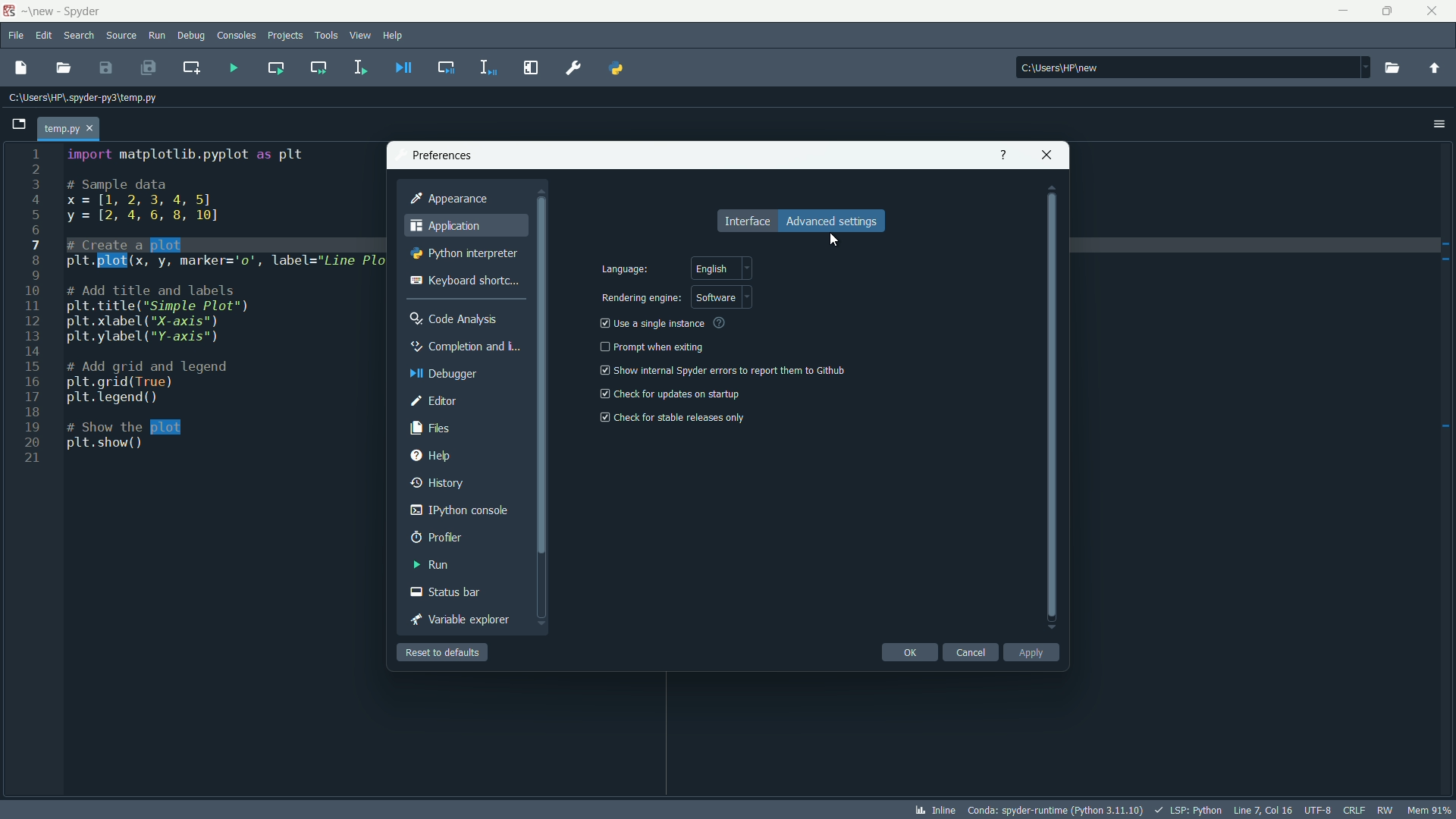  I want to click on debug cell, so click(444, 68).